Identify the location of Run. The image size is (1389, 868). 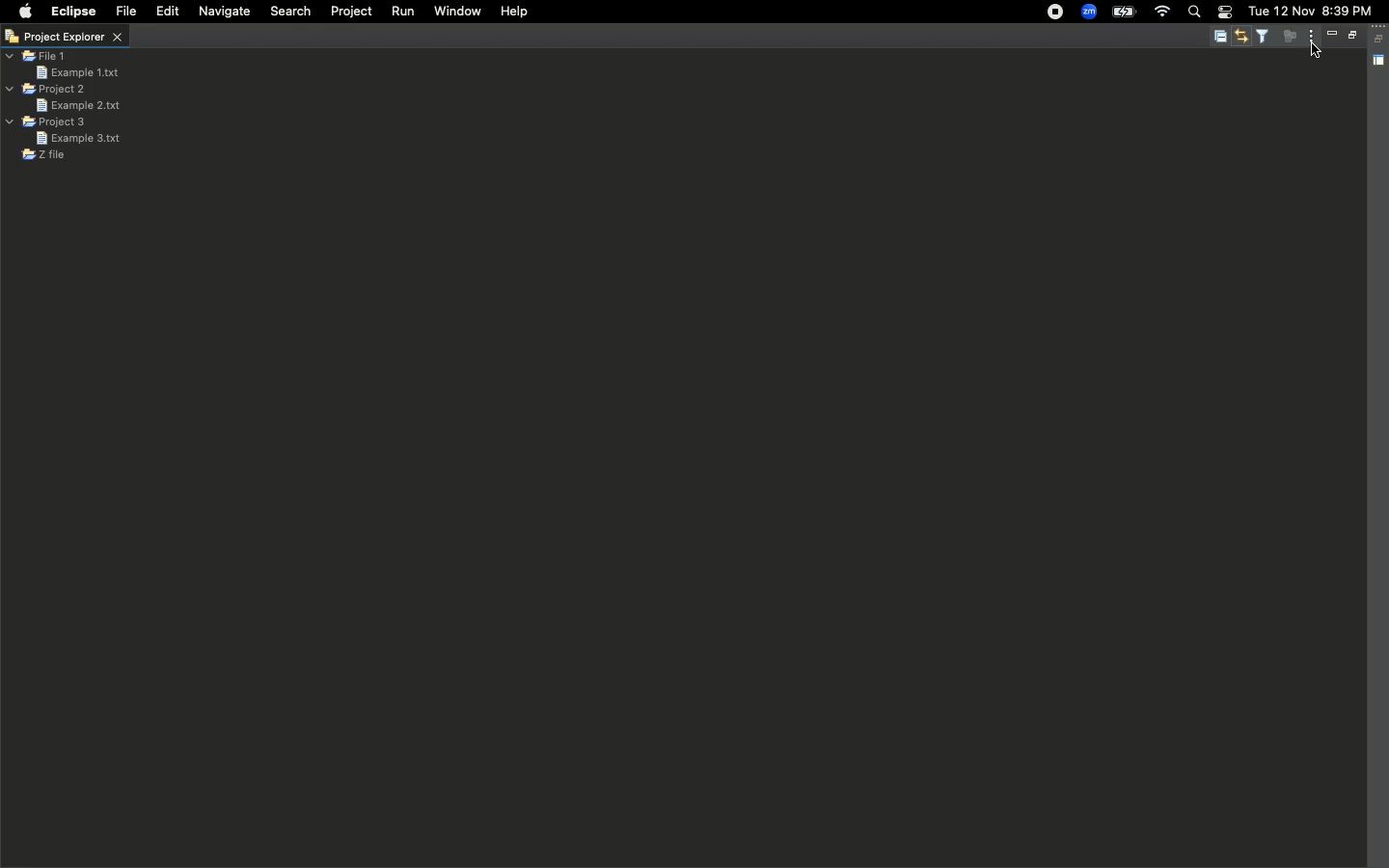
(402, 12).